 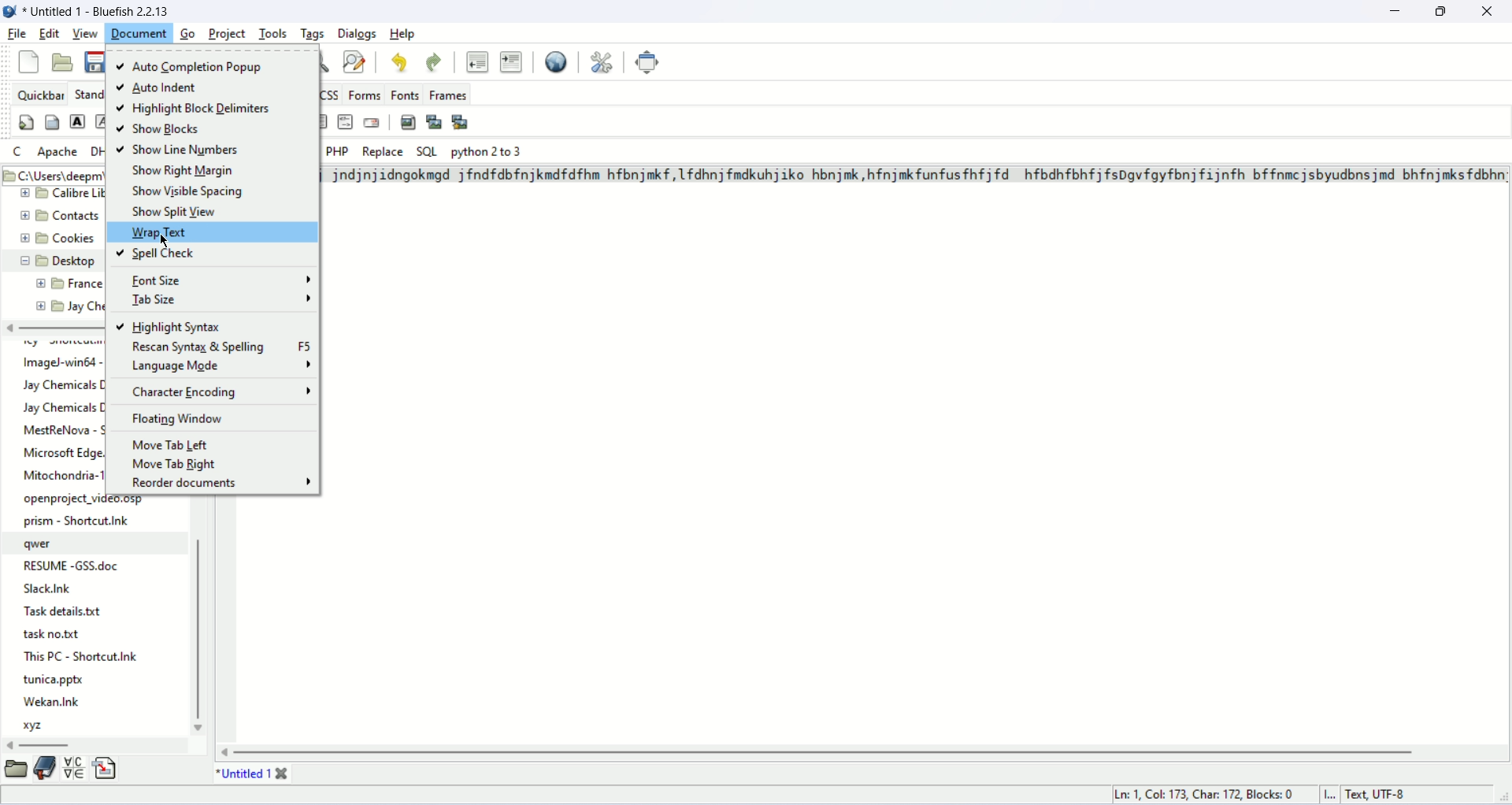 What do you see at coordinates (283, 772) in the screenshot?
I see `close` at bounding box center [283, 772].